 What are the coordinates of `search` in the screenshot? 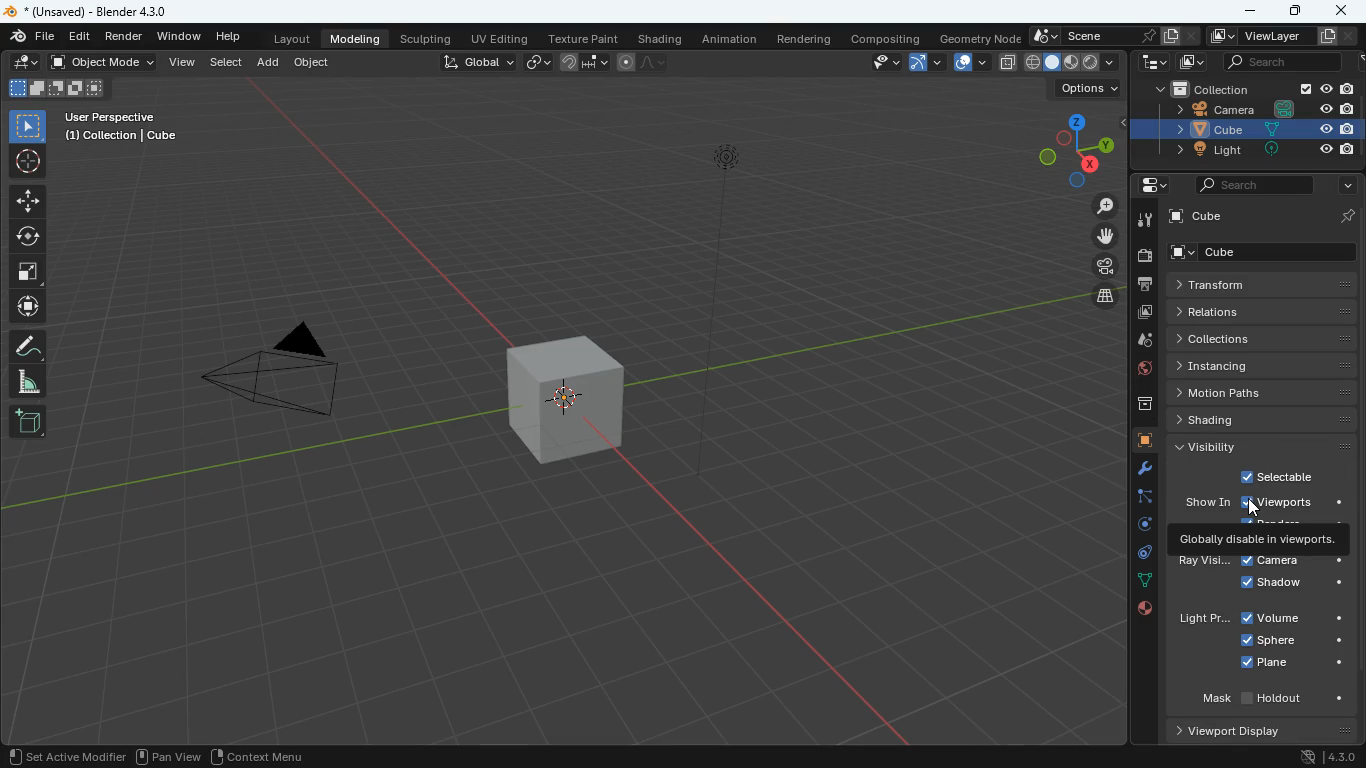 It's located at (1280, 63).